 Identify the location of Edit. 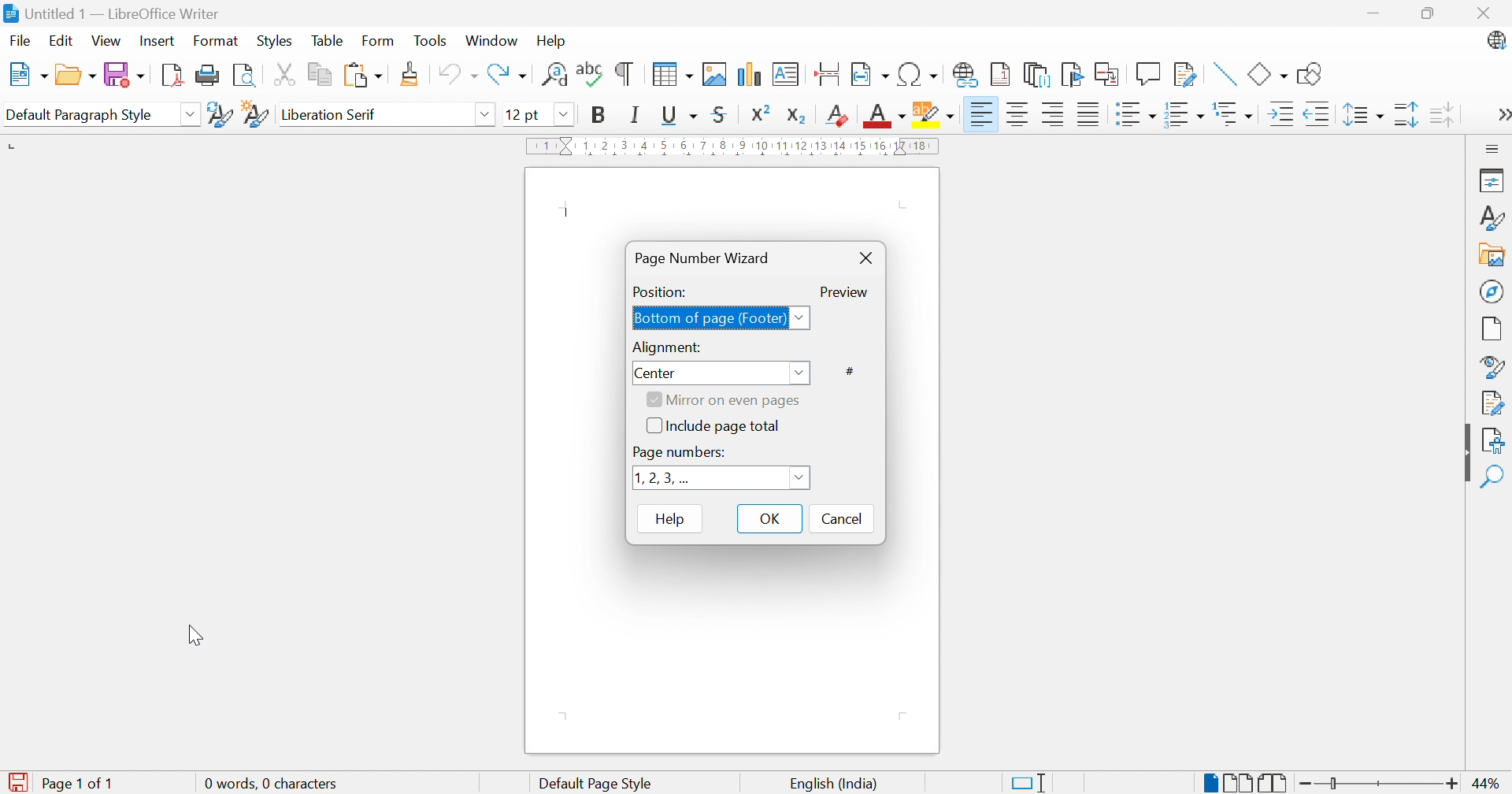
(61, 43).